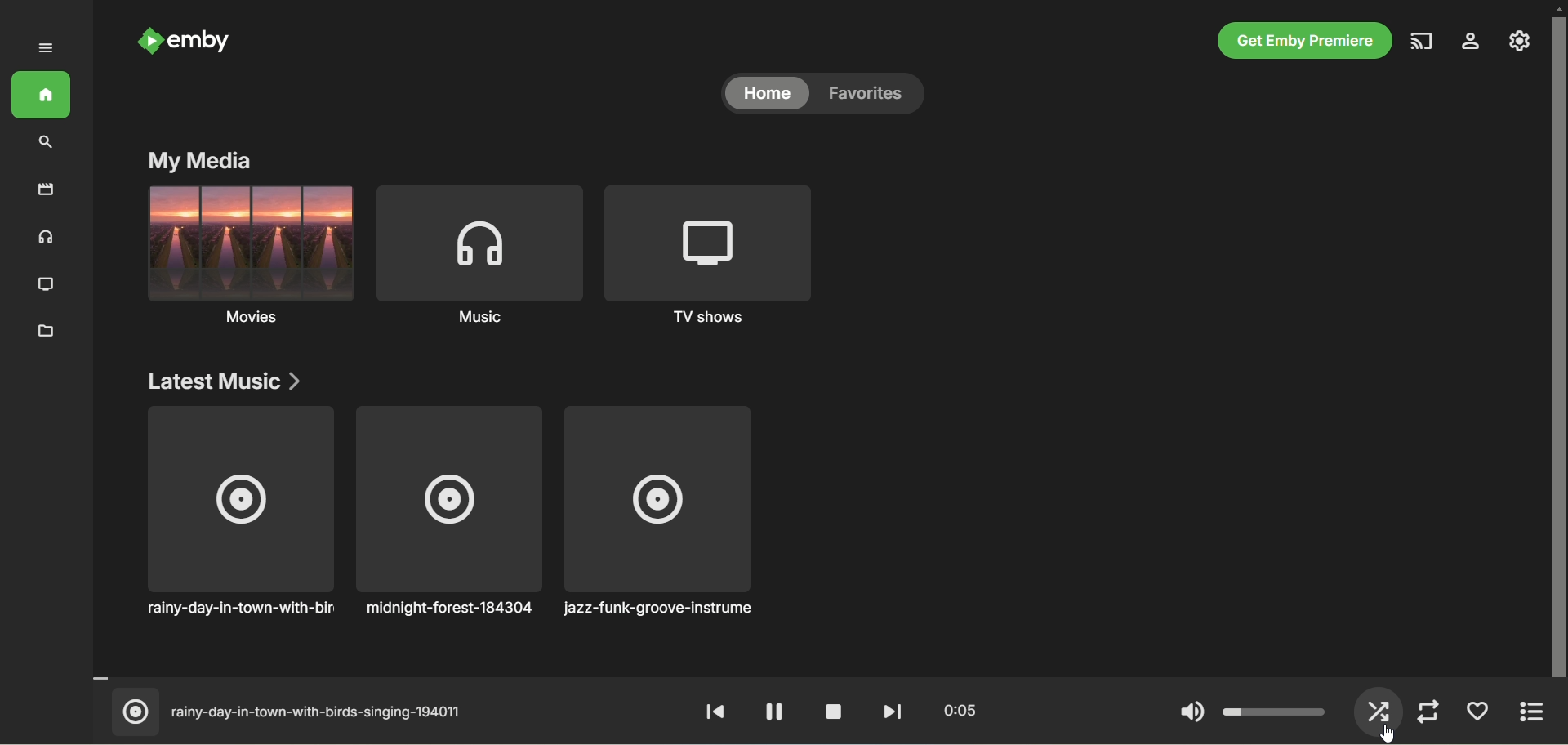 The width and height of the screenshot is (1568, 745). I want to click on rainy-day-in-town-with-birds-singing-194011, so click(296, 712).